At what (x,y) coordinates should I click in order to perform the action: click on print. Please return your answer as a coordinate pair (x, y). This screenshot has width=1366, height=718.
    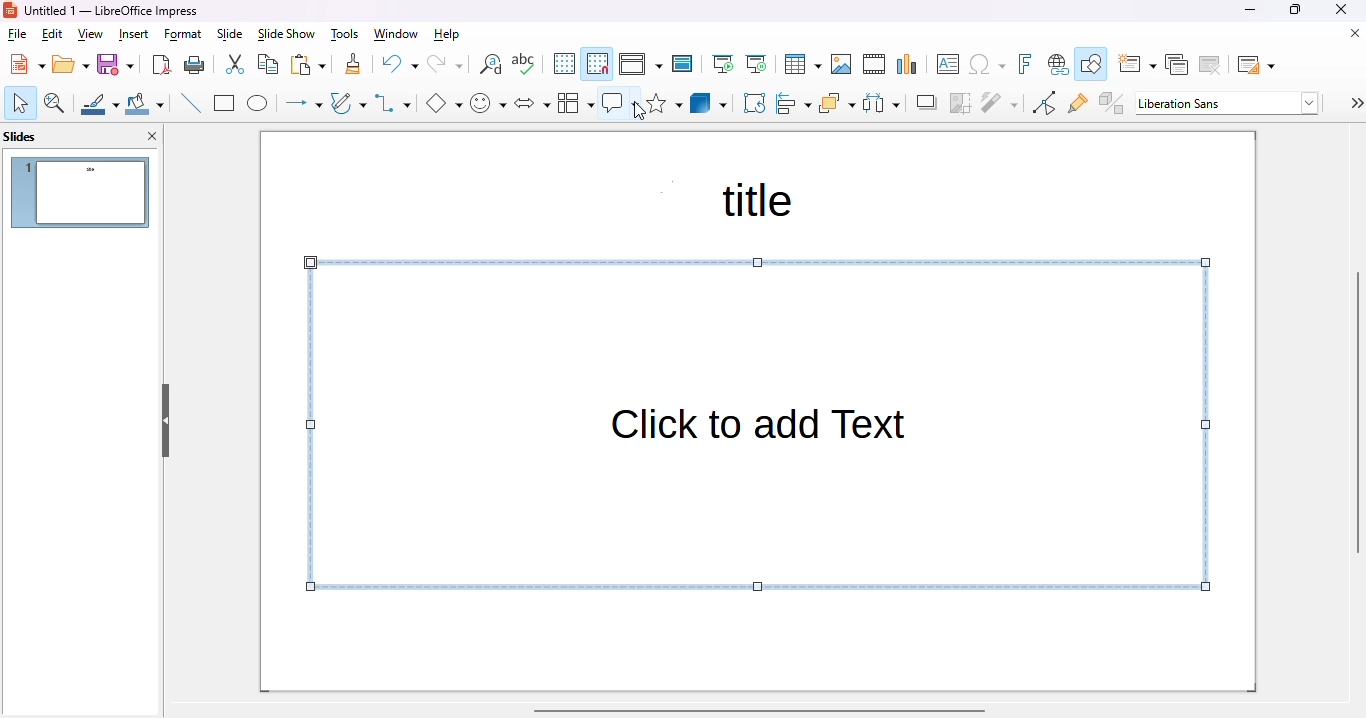
    Looking at the image, I should click on (195, 65).